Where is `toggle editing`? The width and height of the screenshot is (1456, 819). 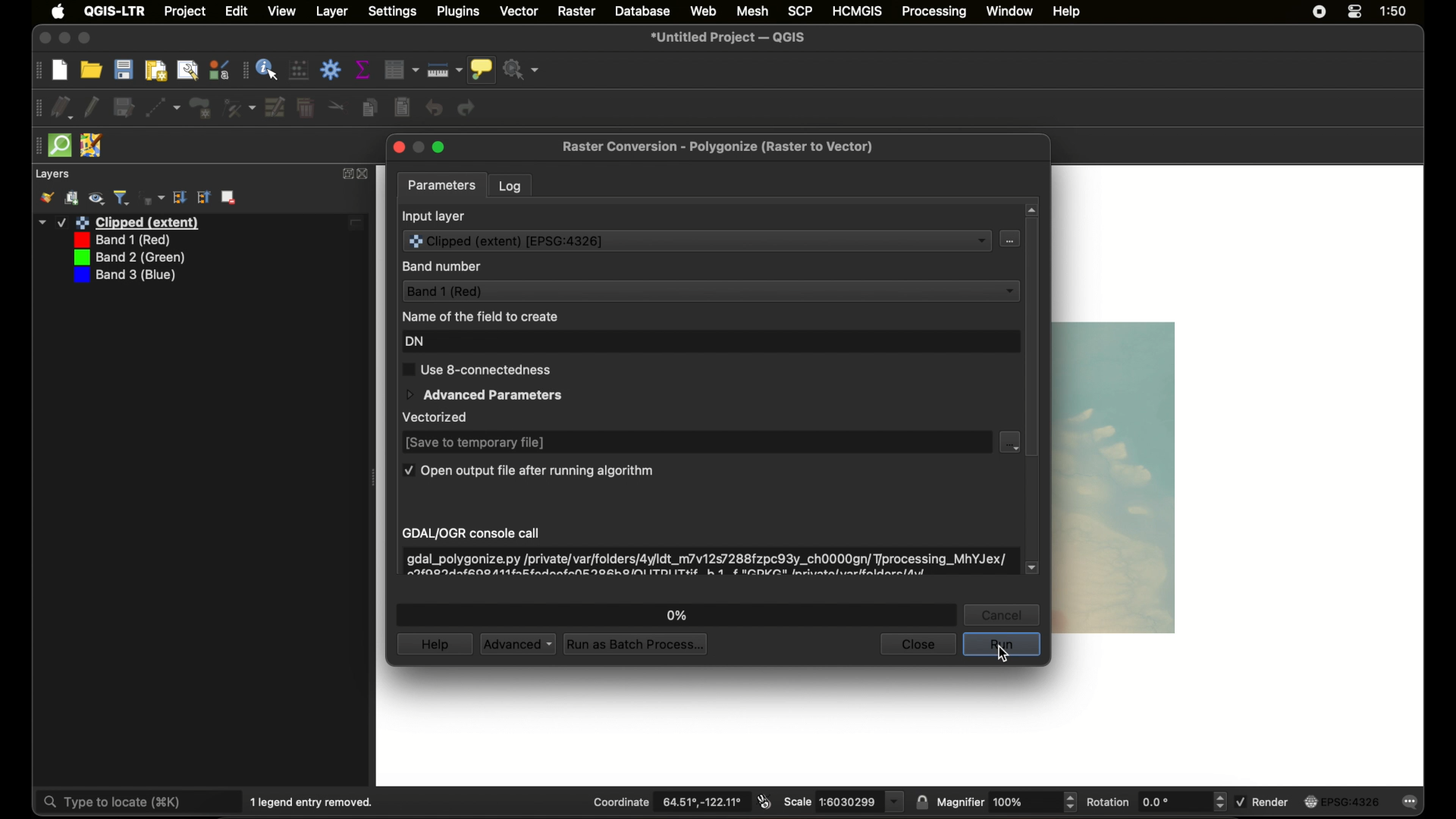
toggle editing is located at coordinates (92, 108).